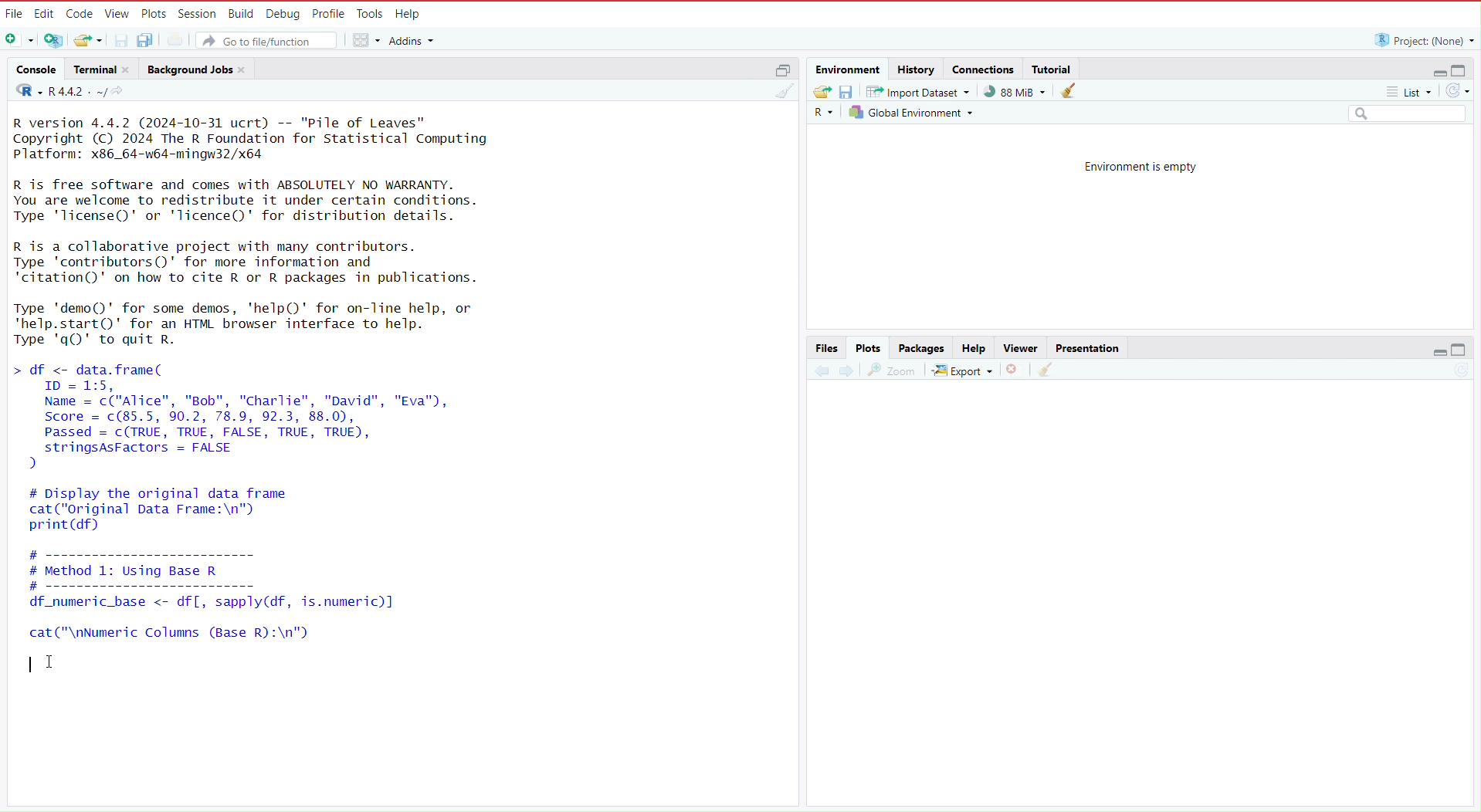 The height and width of the screenshot is (812, 1481). I want to click on close, so click(129, 69).